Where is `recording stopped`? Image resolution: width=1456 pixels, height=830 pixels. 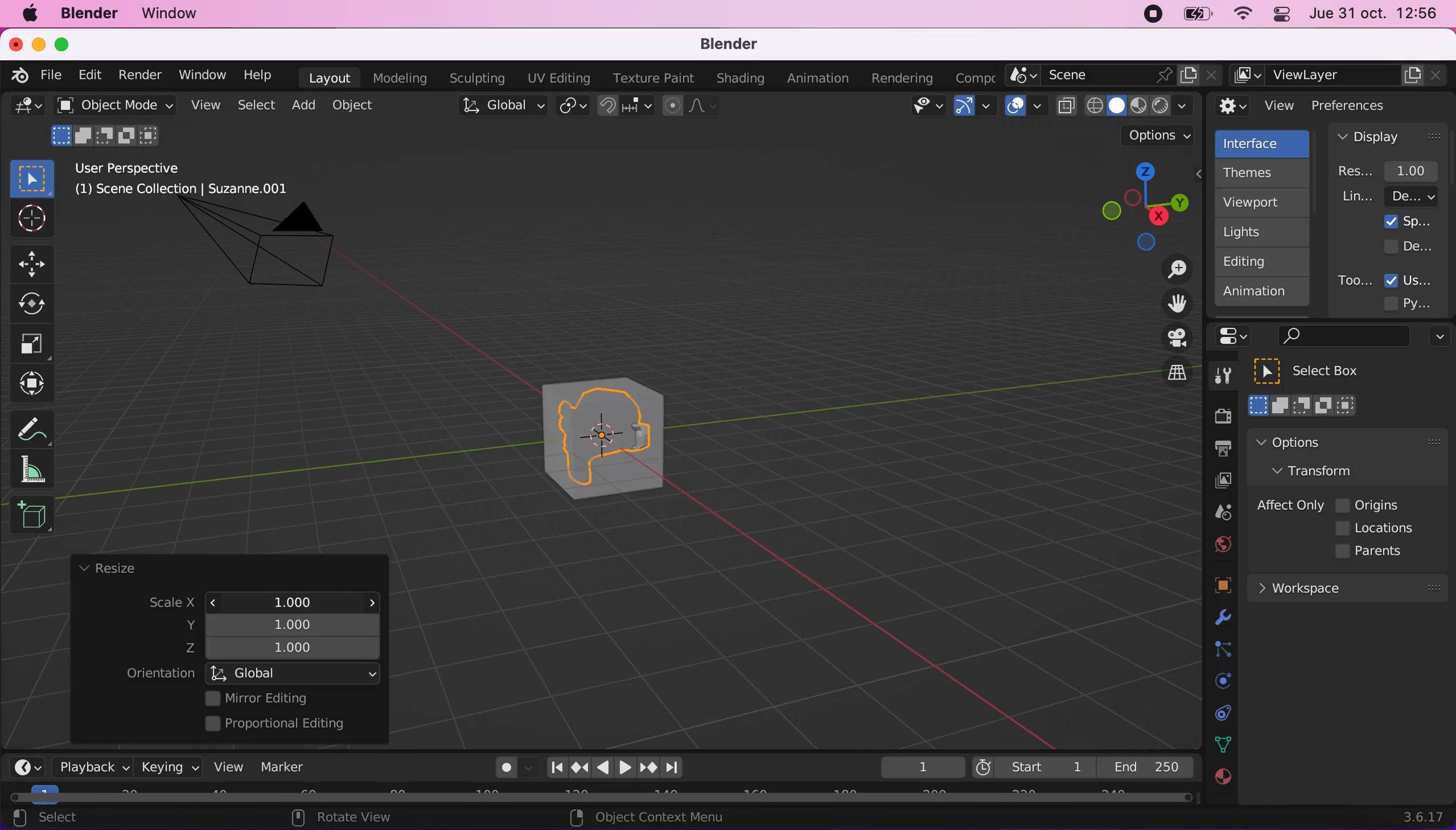
recording stopped is located at coordinates (1148, 16).